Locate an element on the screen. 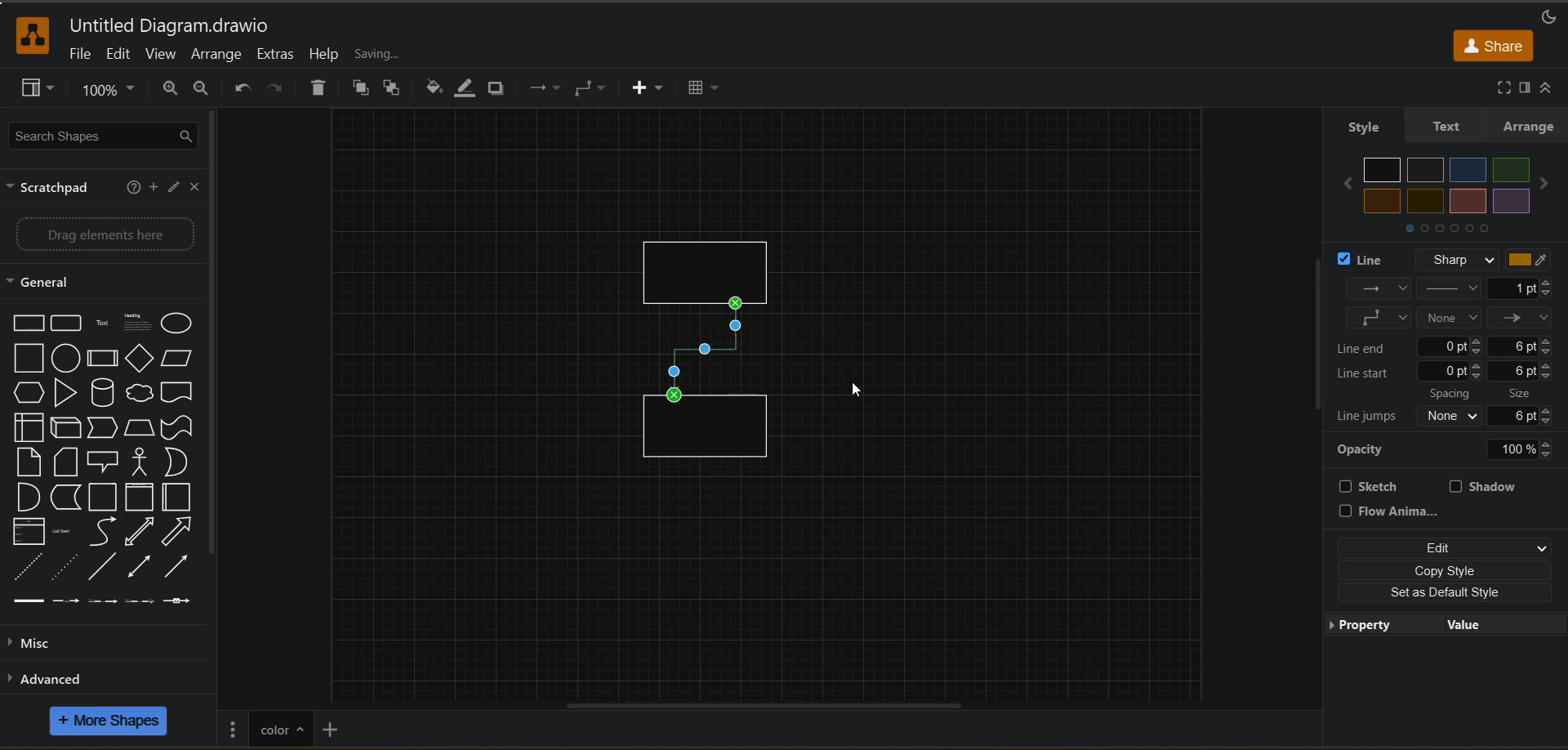 The image size is (1568, 750). share is located at coordinates (1494, 45).